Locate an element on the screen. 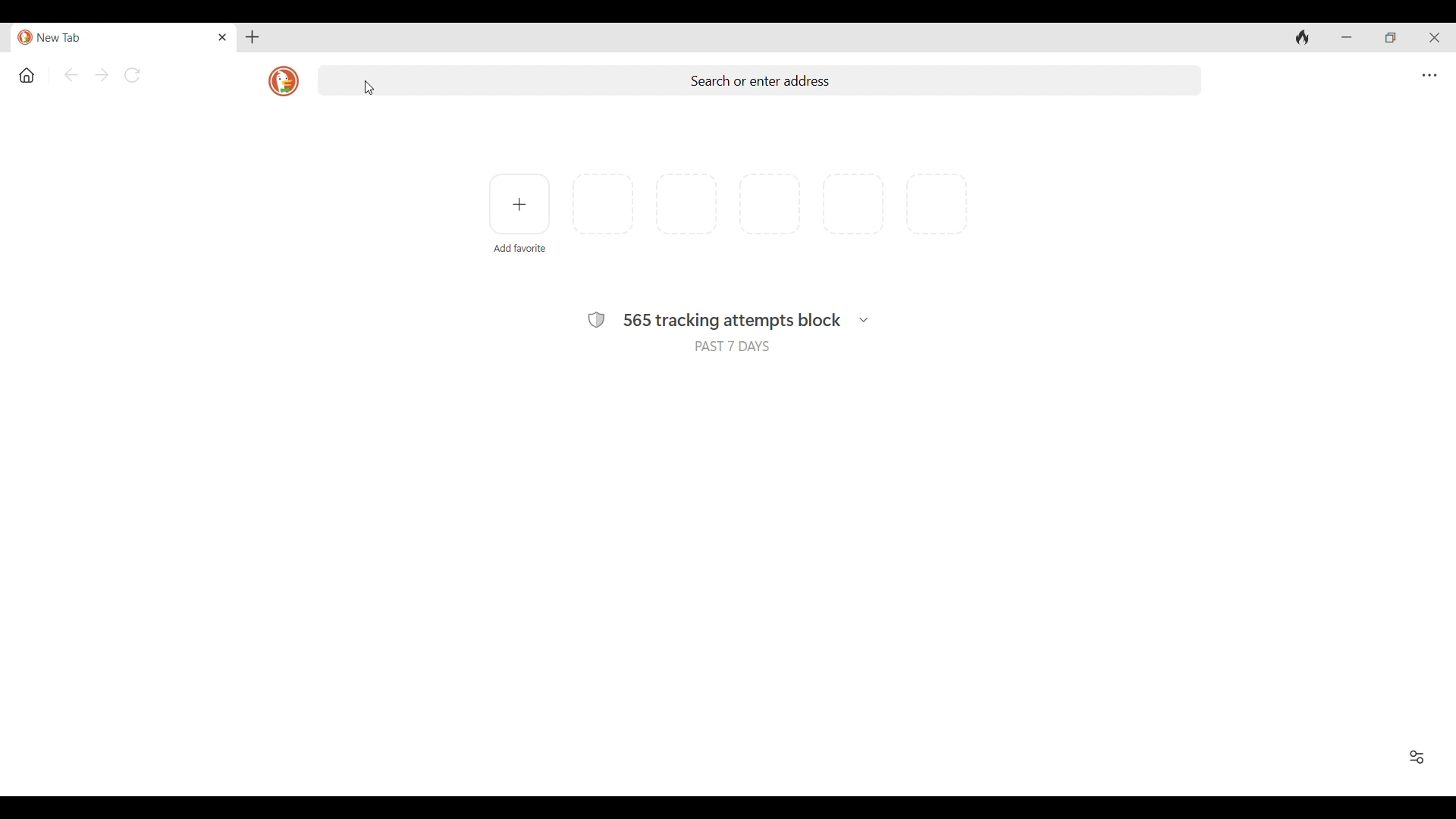  Add tab is located at coordinates (253, 37).